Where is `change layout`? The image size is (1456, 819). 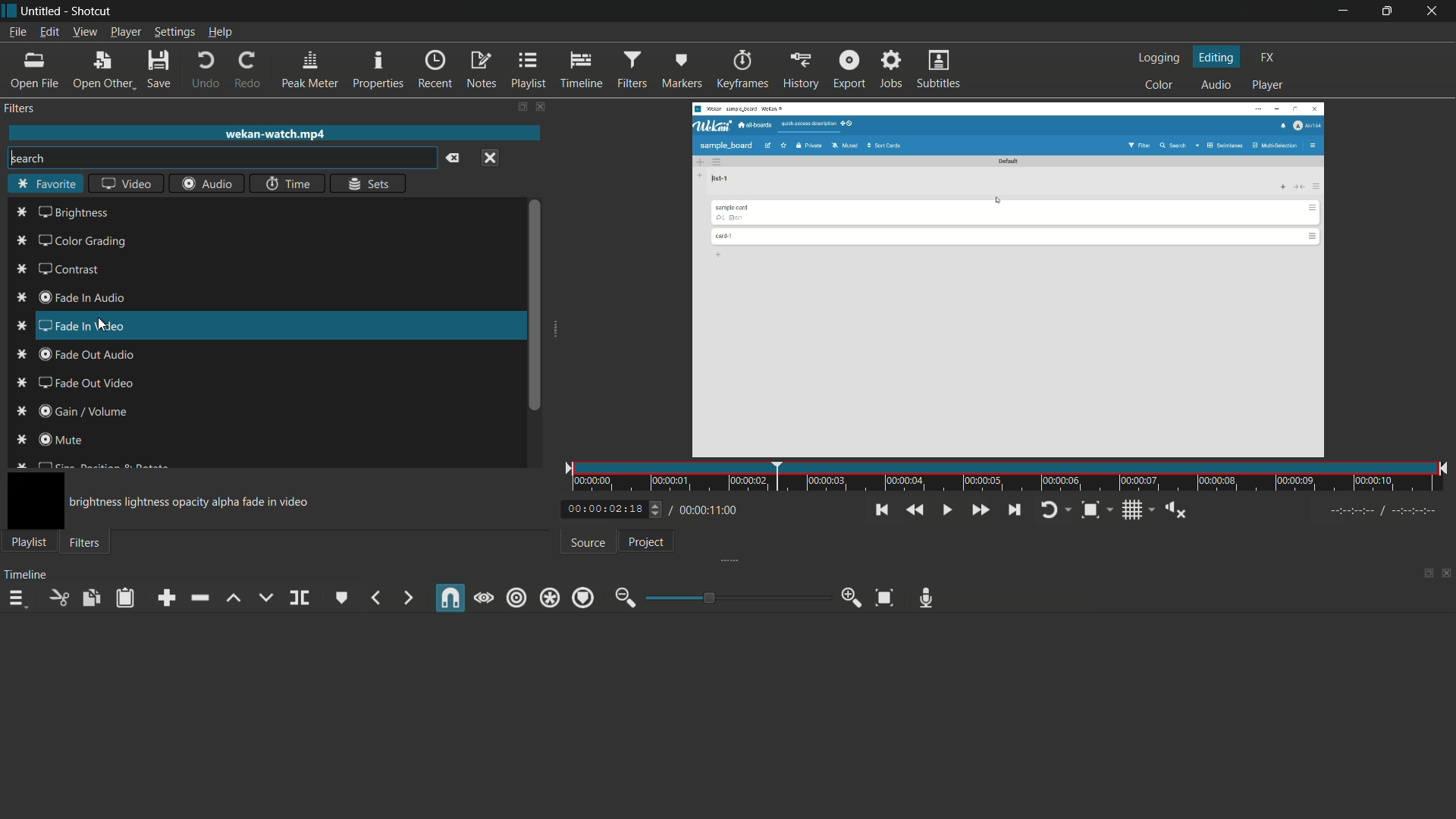 change layout is located at coordinates (1426, 572).